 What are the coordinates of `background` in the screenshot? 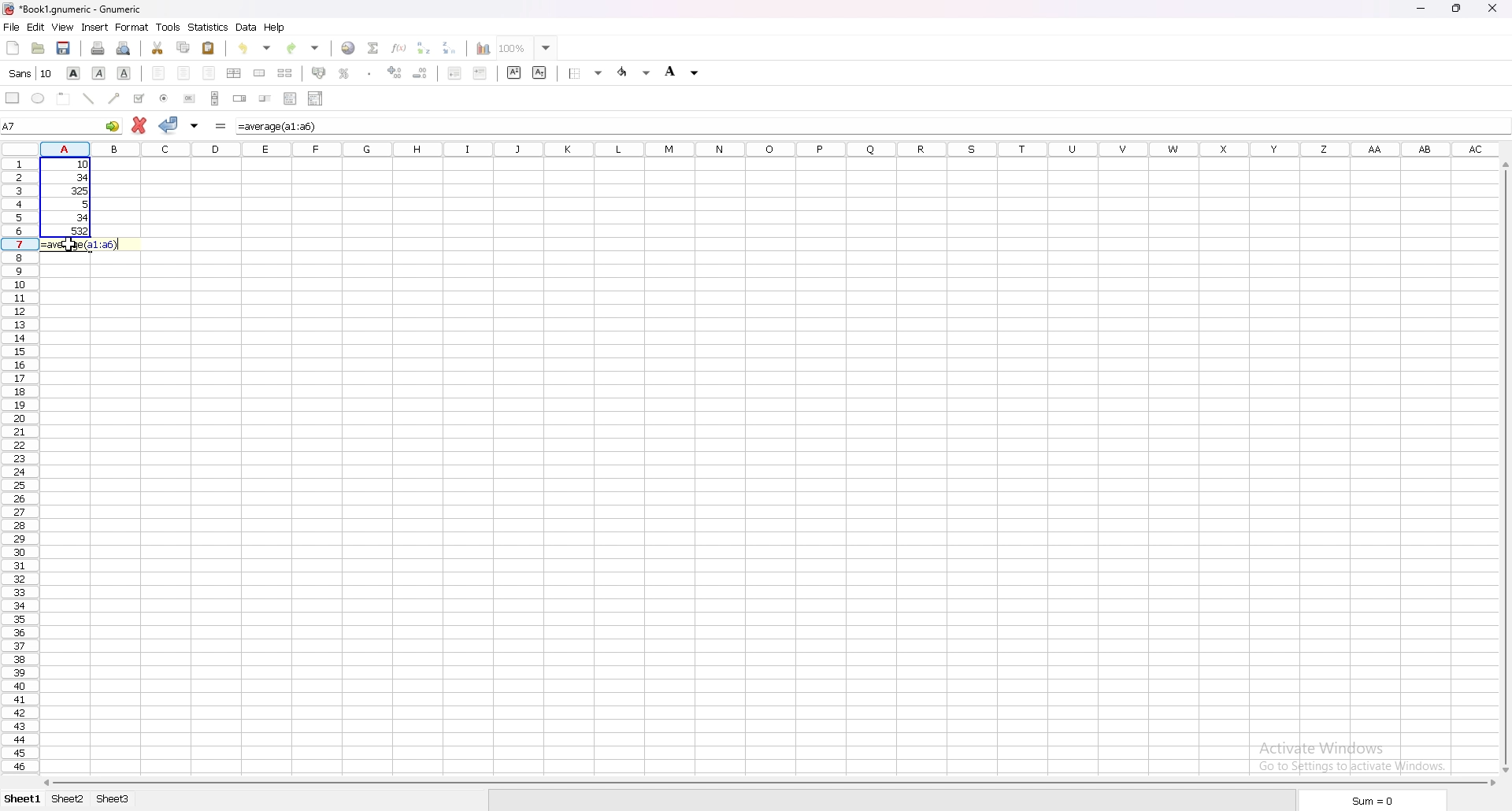 It's located at (684, 72).